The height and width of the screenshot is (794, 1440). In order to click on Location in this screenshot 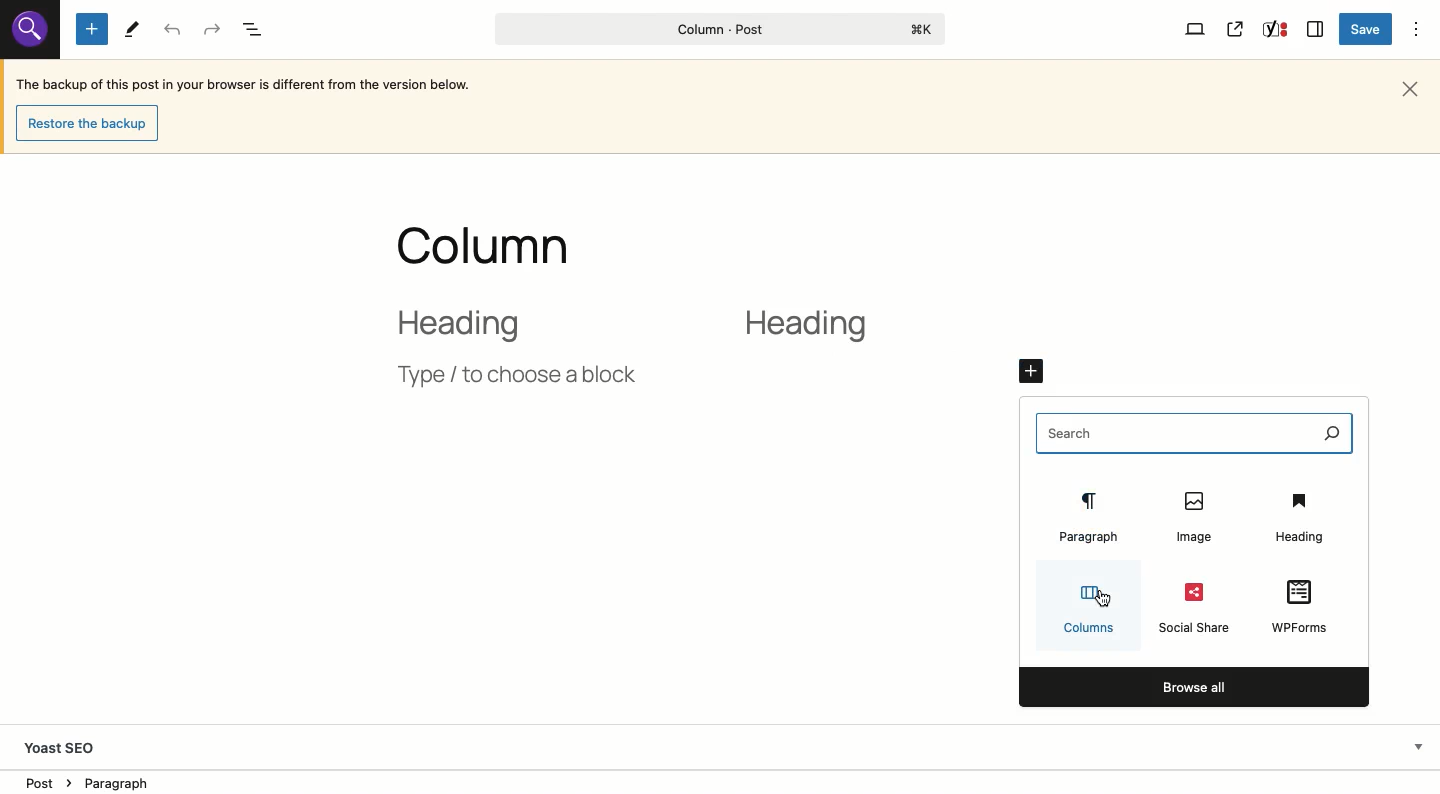, I will do `click(722, 782)`.